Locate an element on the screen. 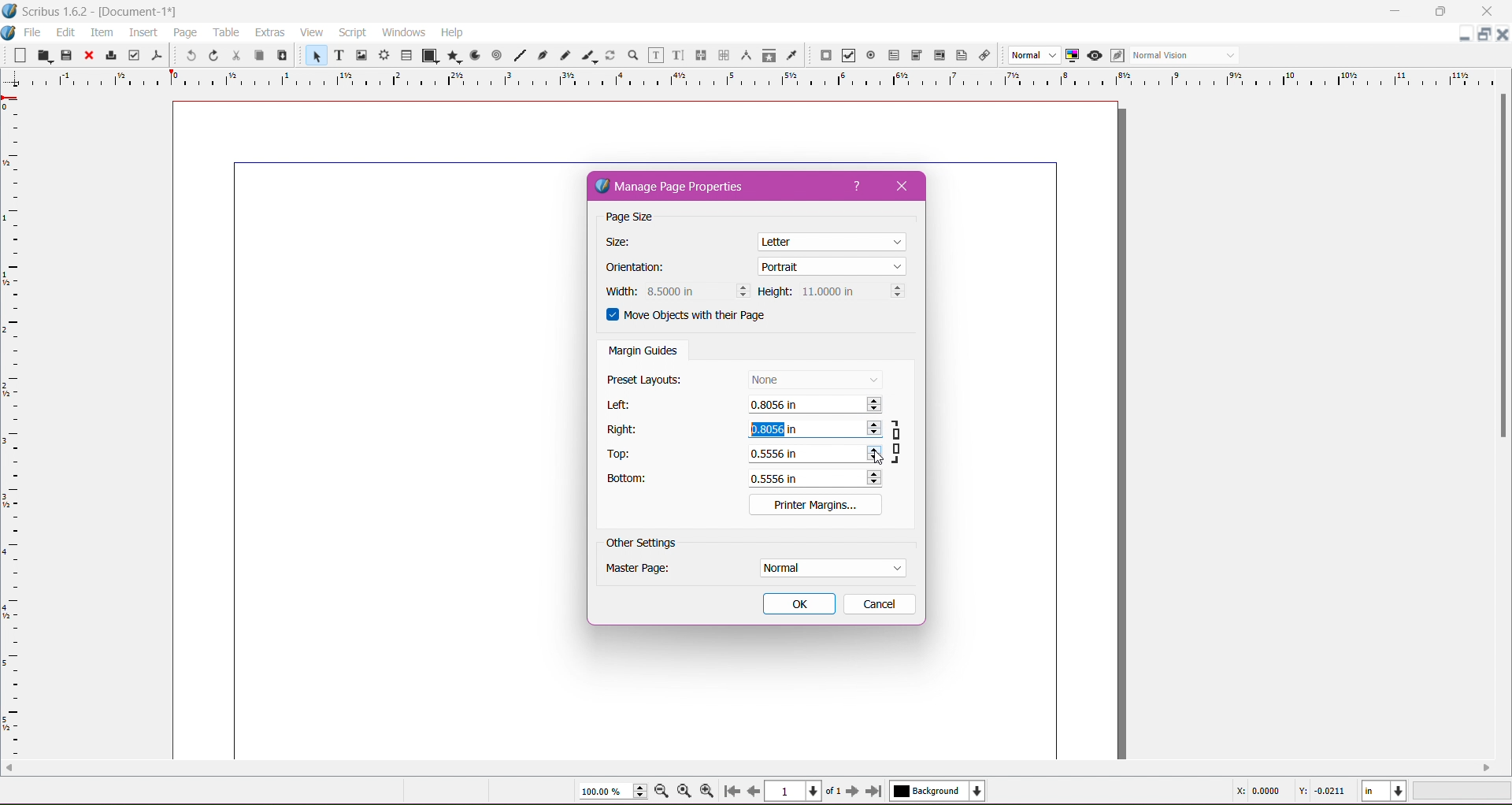 Image resolution: width=1512 pixels, height=805 pixels. Zoom In by the stepping value in Tools preferences is located at coordinates (706, 789).